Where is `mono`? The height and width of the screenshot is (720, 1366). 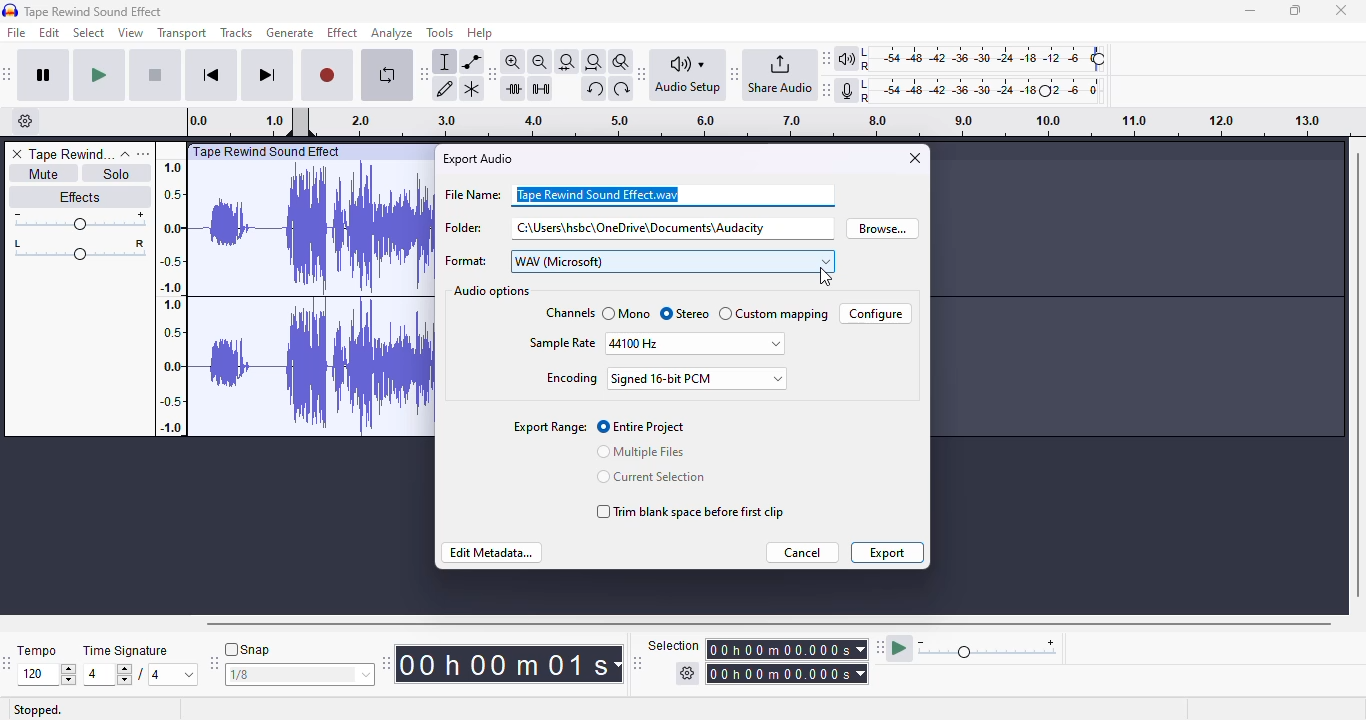
mono is located at coordinates (645, 314).